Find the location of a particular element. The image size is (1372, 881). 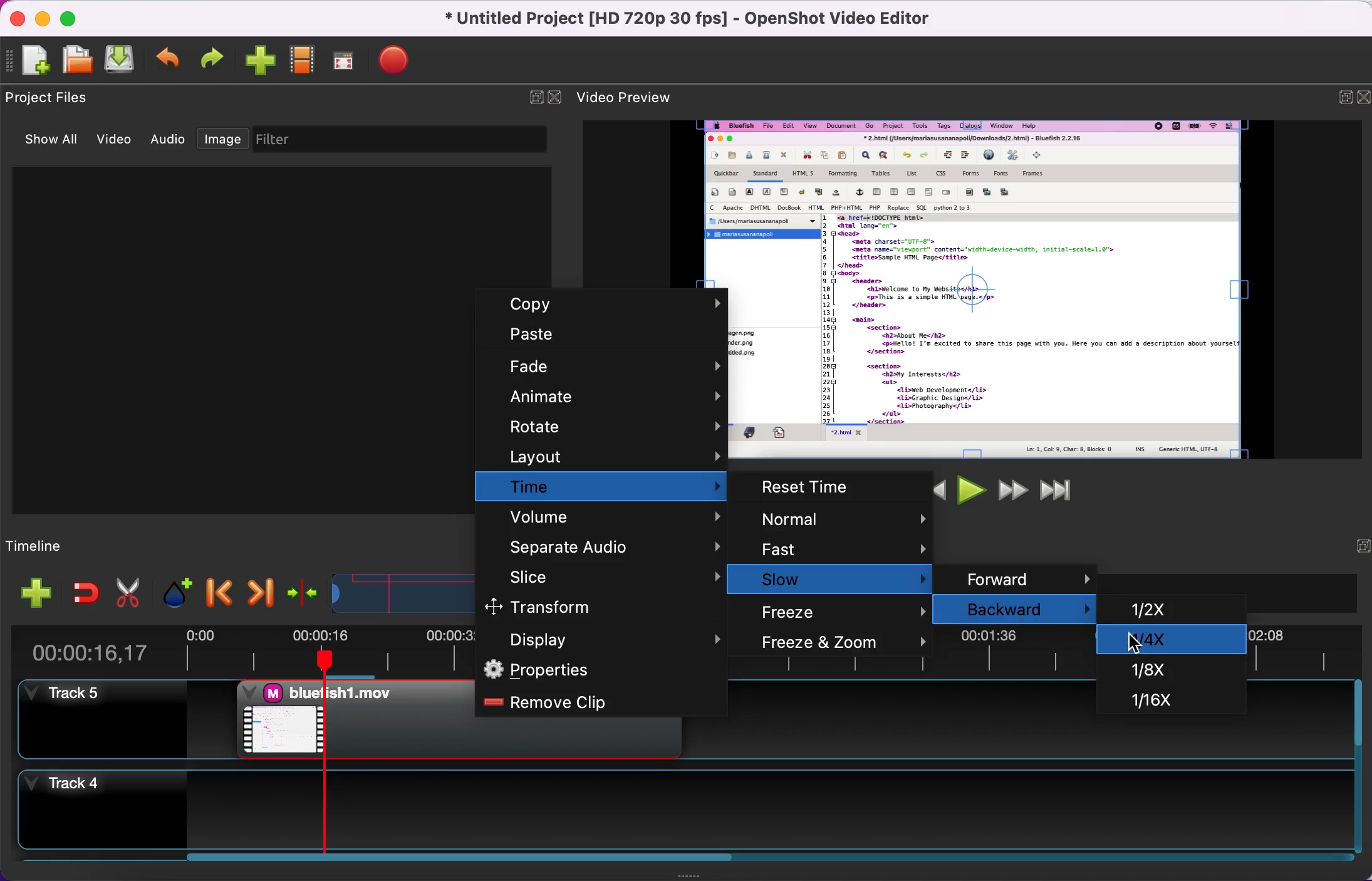

volume is located at coordinates (603, 516).